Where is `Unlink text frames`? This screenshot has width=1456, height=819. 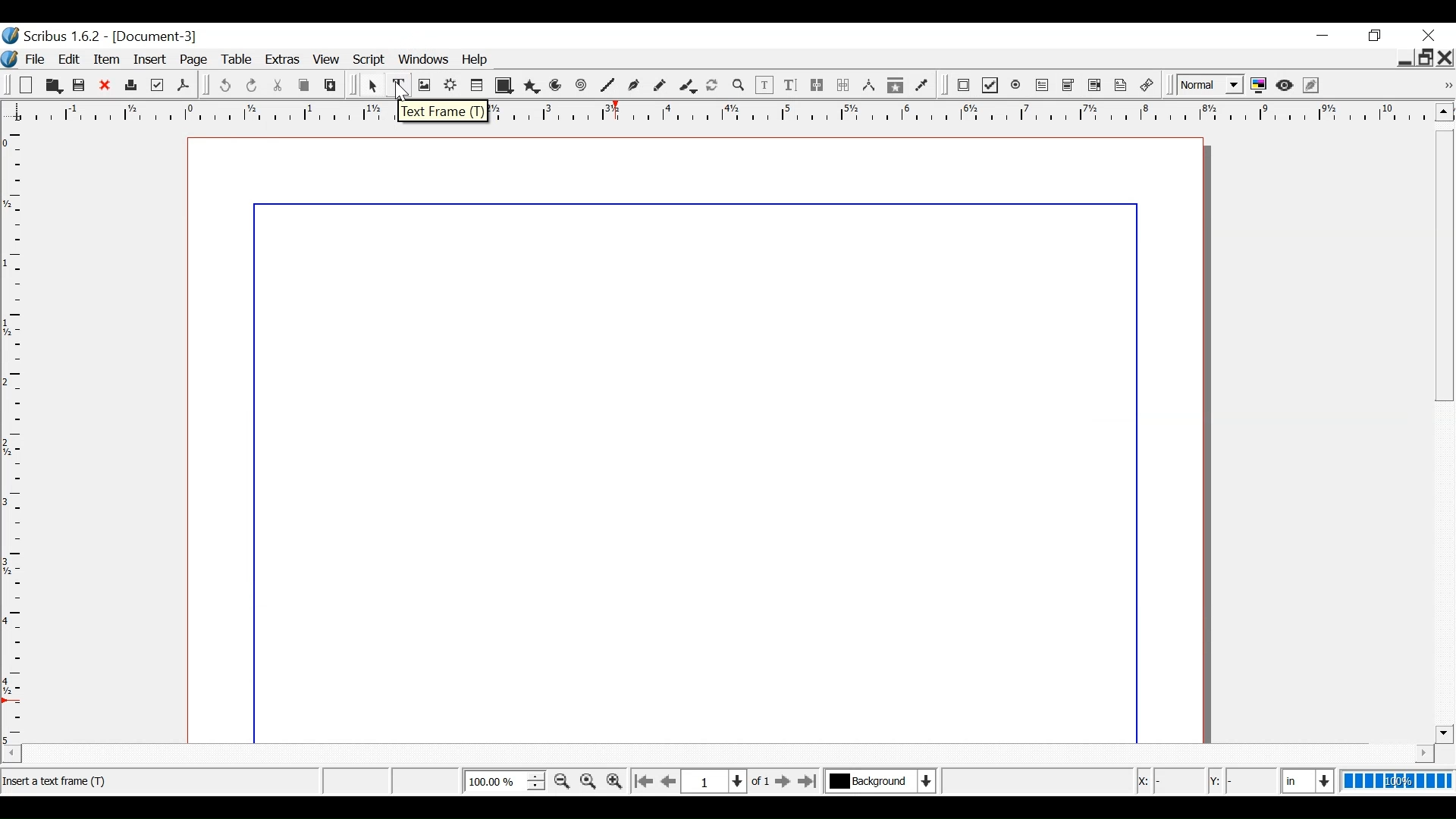
Unlink text frames is located at coordinates (843, 85).